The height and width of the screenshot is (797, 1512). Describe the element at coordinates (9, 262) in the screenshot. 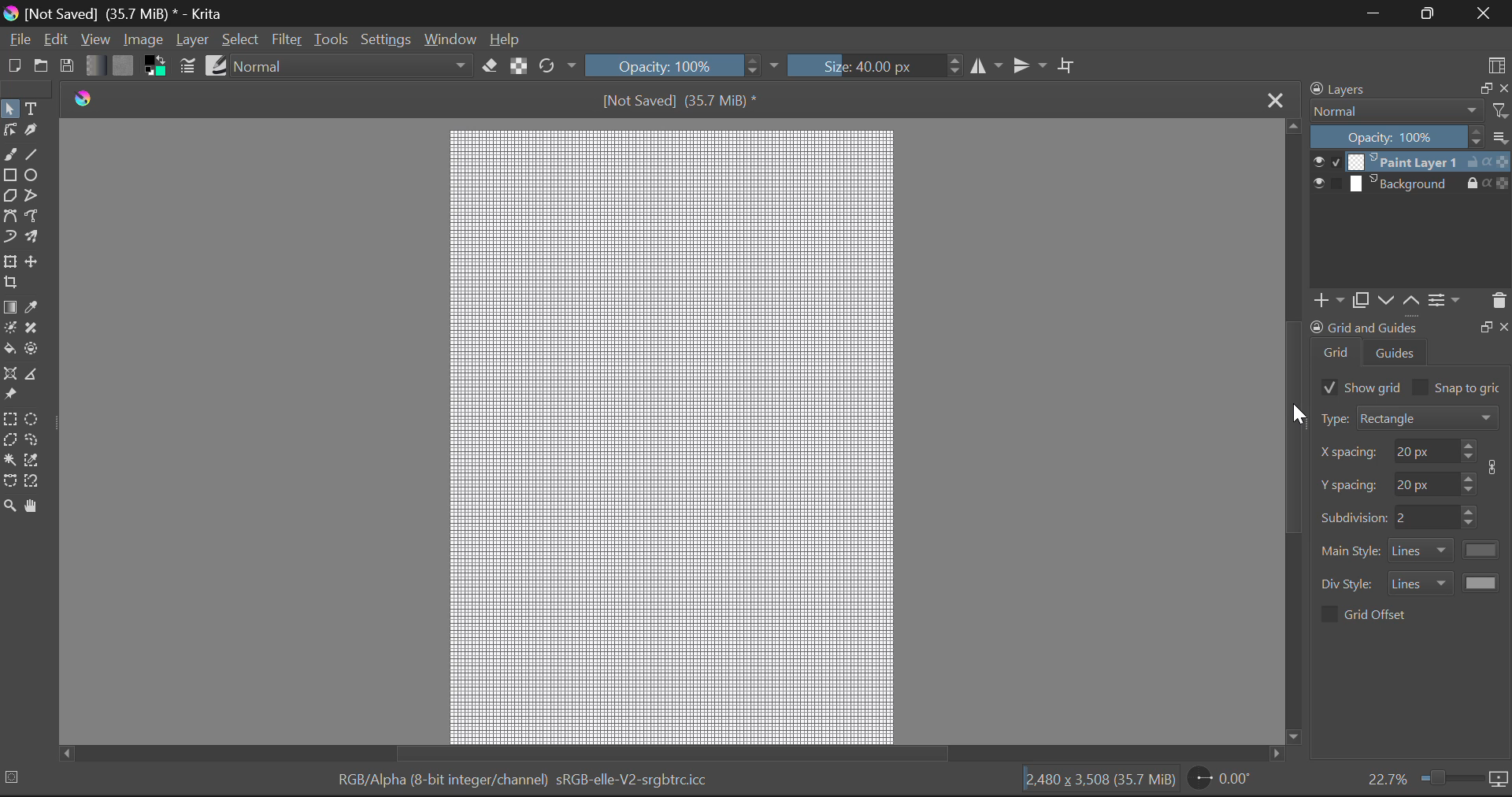

I see `Transform Layer` at that location.